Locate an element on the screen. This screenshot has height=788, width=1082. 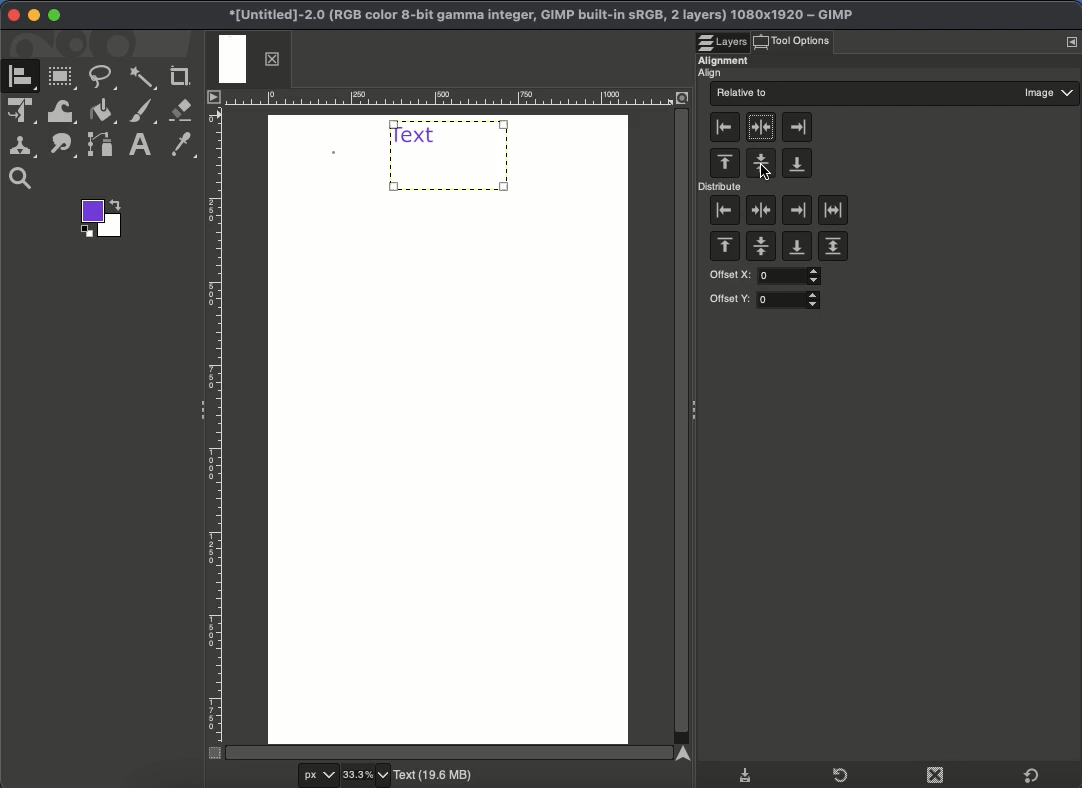
Save tool presets is located at coordinates (747, 773).